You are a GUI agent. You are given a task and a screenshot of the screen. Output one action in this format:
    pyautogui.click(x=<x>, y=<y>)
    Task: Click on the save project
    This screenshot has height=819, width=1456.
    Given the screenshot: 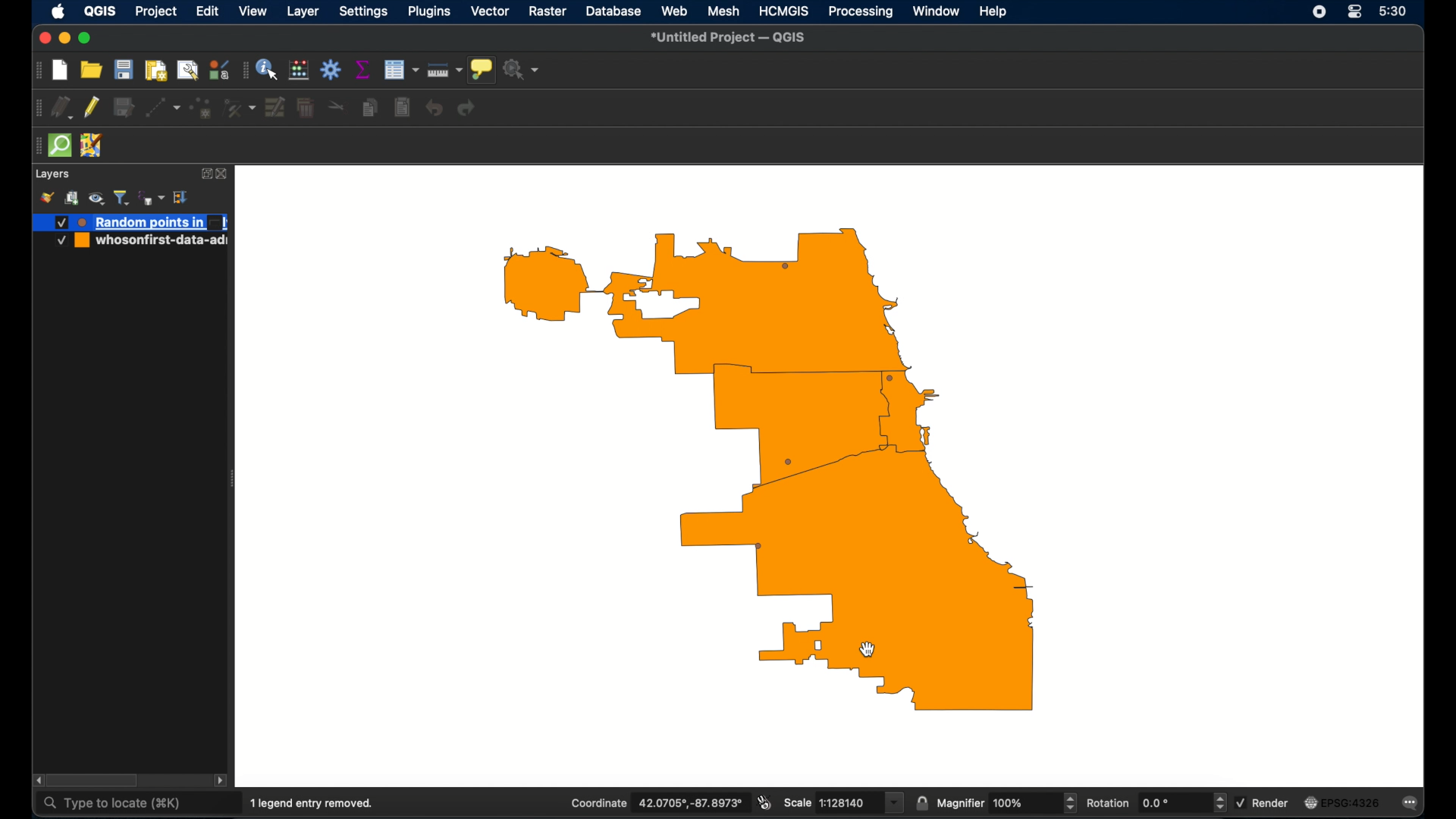 What is the action you would take?
    pyautogui.click(x=124, y=70)
    